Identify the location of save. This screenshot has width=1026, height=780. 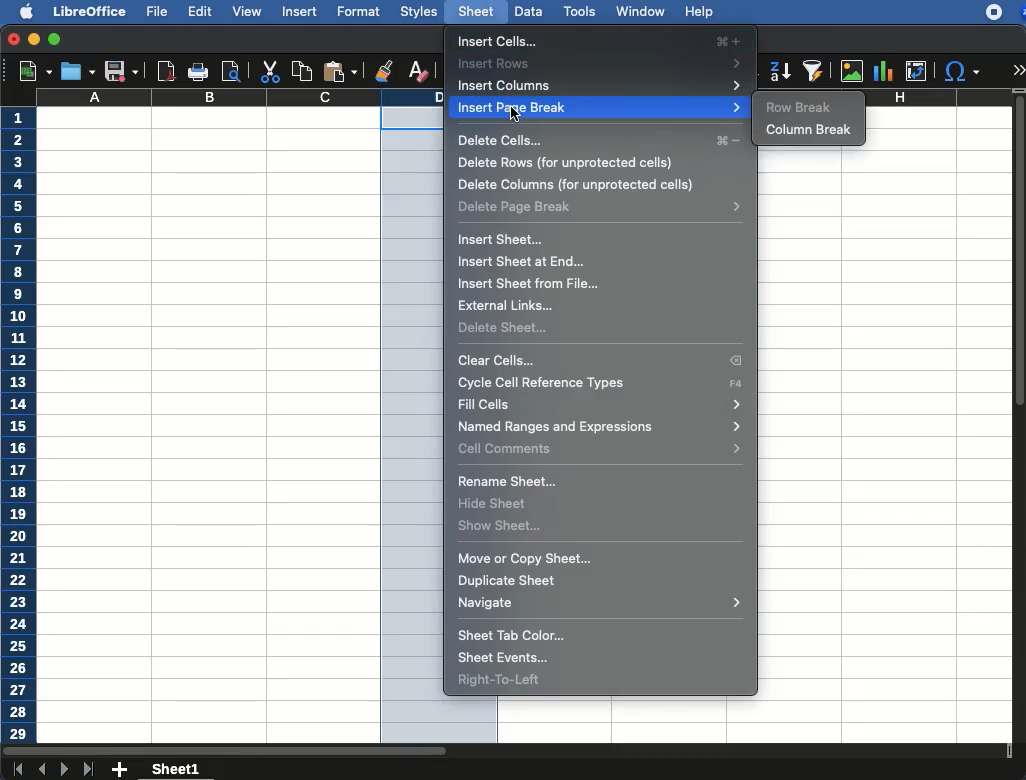
(120, 72).